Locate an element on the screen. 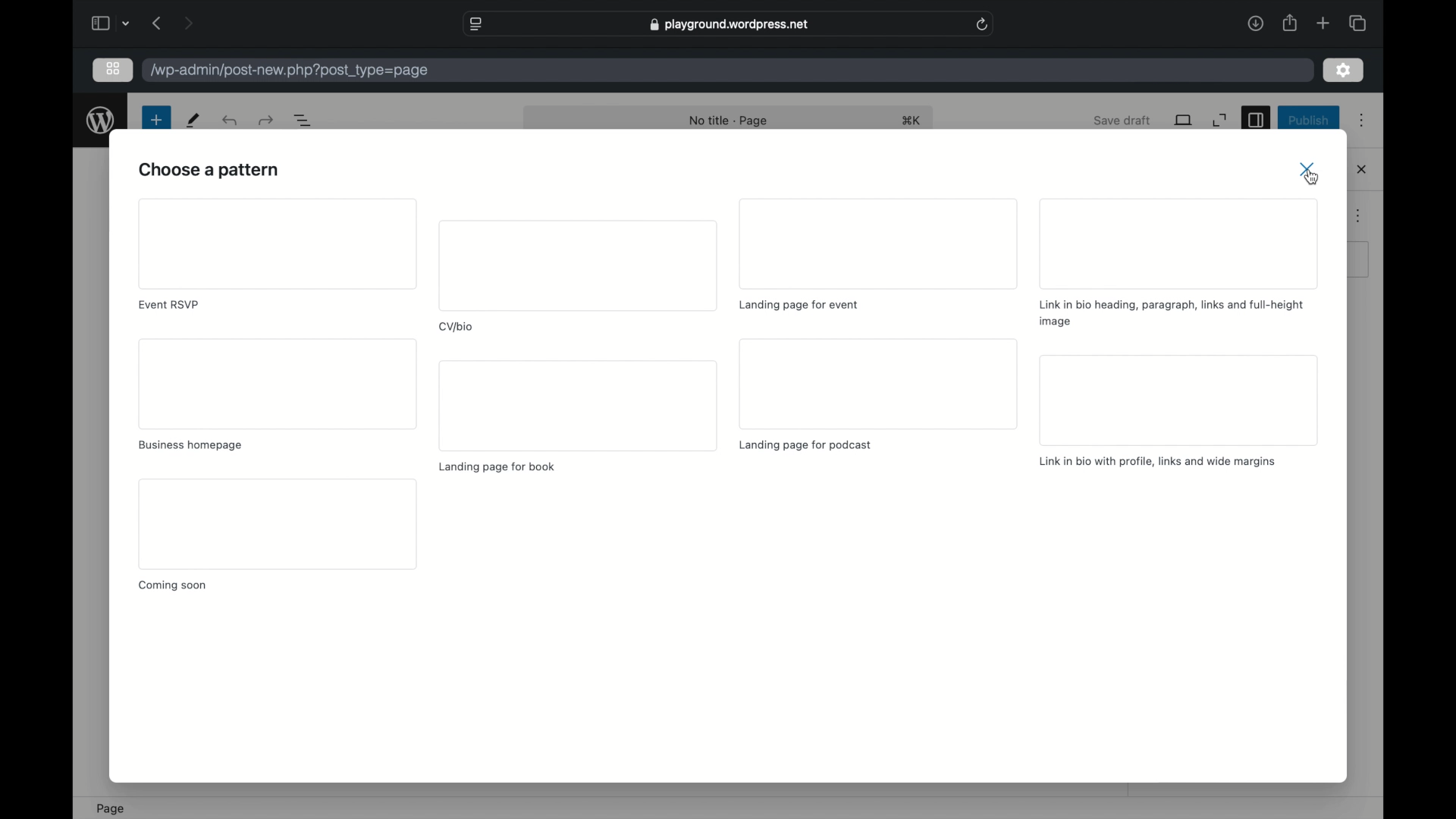  document overview is located at coordinates (305, 121).